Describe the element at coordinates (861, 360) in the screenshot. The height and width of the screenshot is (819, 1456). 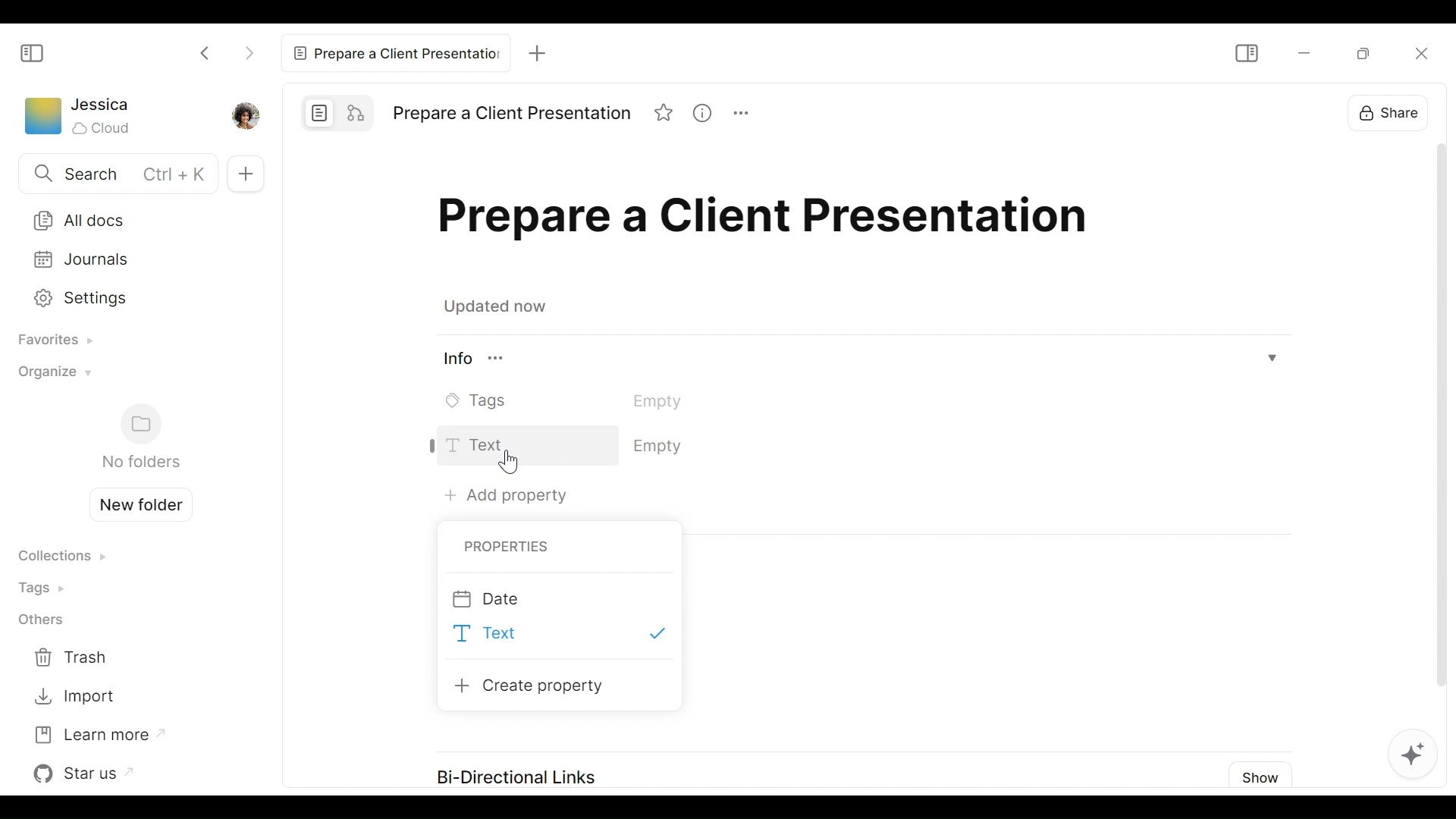
I see `View Information` at that location.